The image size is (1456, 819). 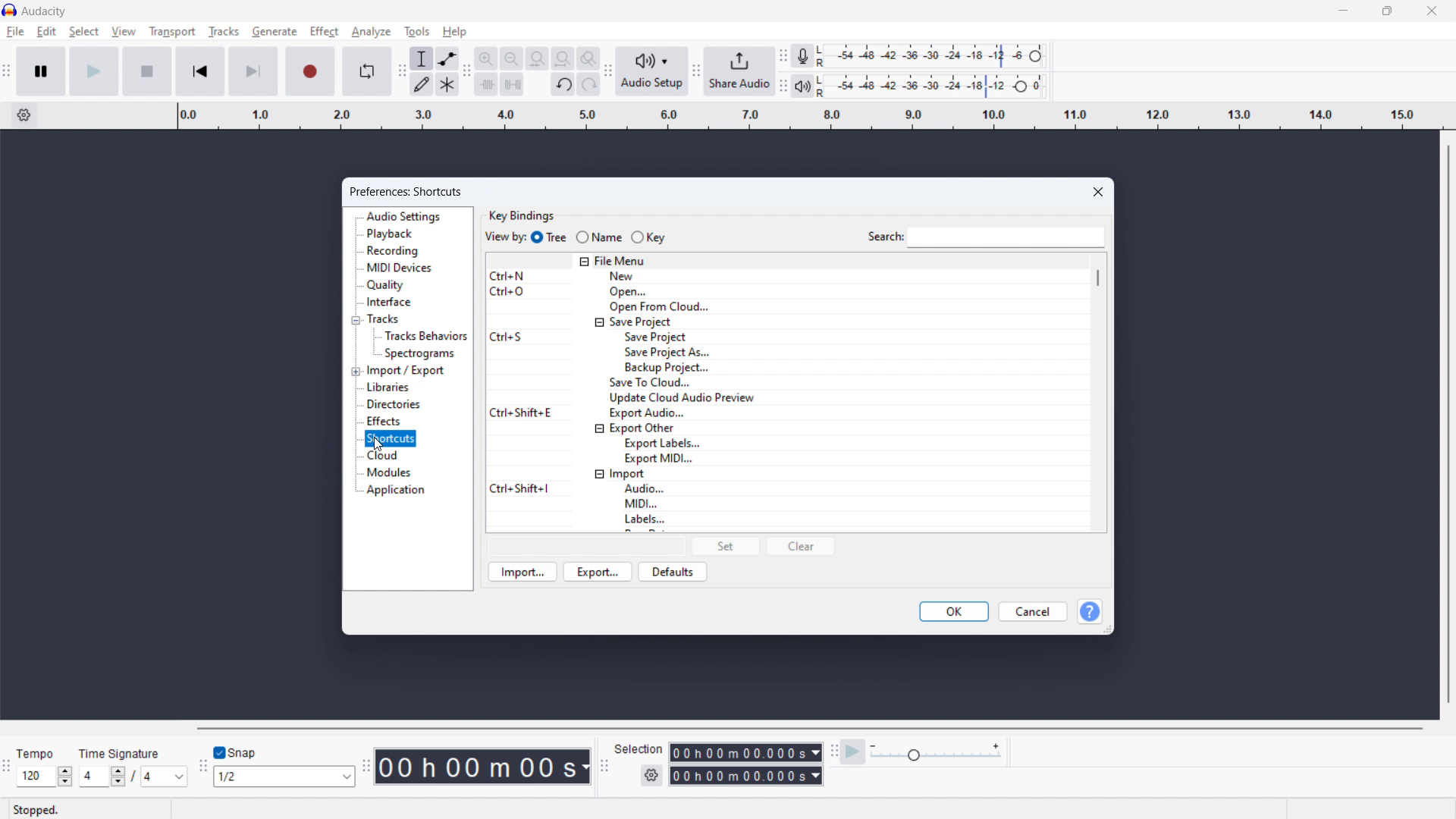 What do you see at coordinates (834, 752) in the screenshot?
I see `Enables movment of play back speed toolbar` at bounding box center [834, 752].